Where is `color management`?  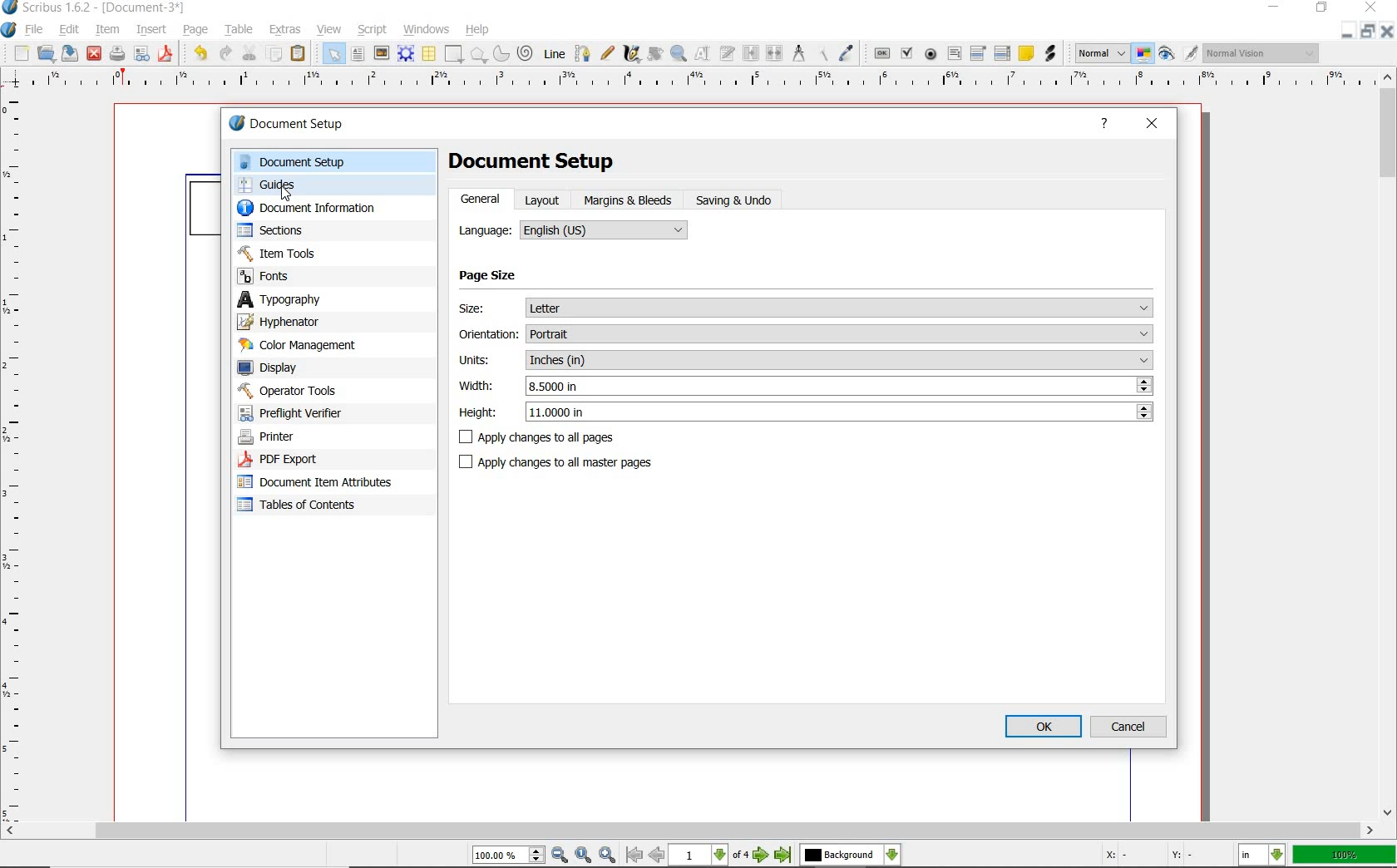
color management is located at coordinates (322, 346).